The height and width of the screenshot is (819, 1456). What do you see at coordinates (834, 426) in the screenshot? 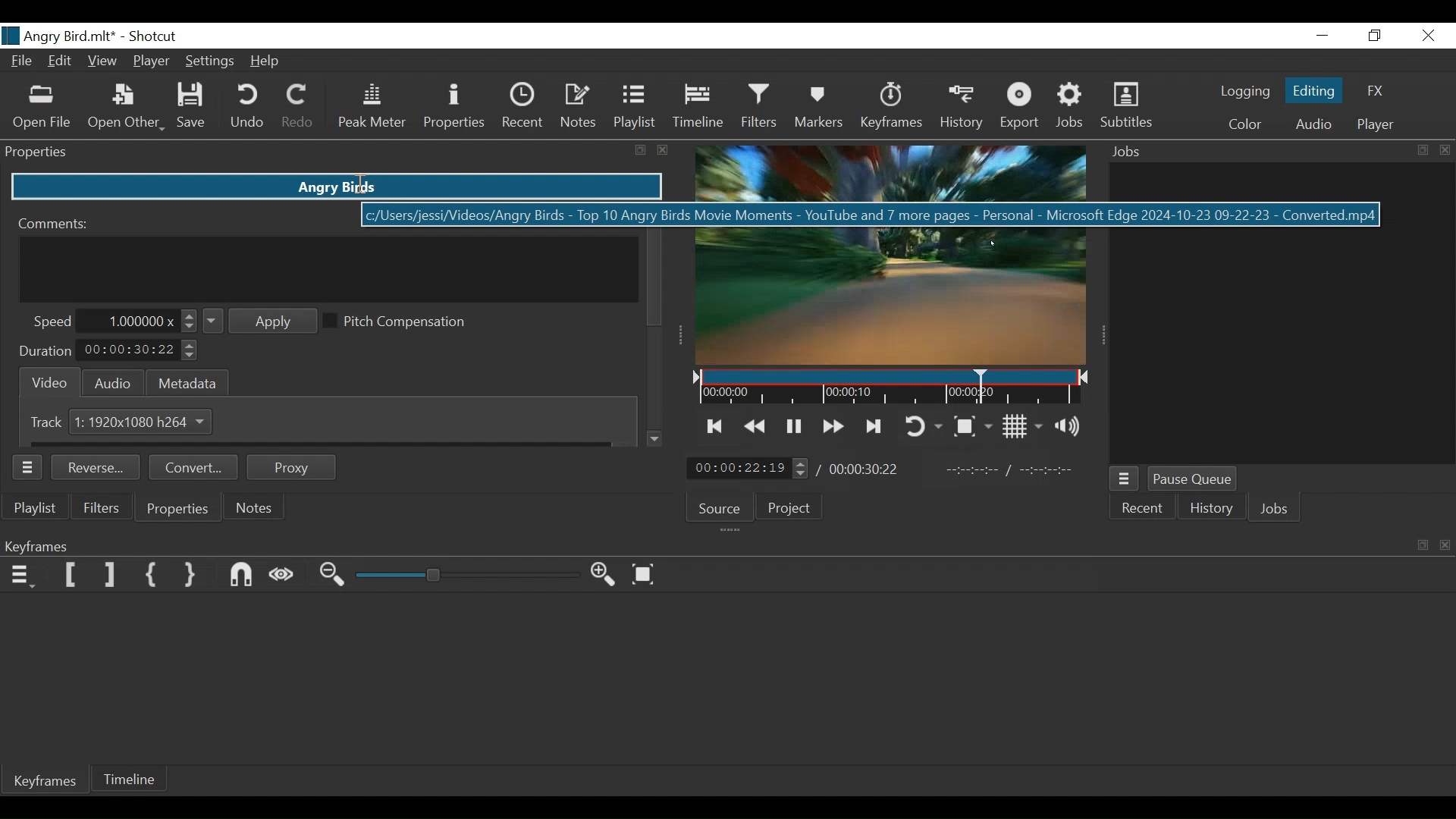
I see `Play forwar quickly` at bounding box center [834, 426].